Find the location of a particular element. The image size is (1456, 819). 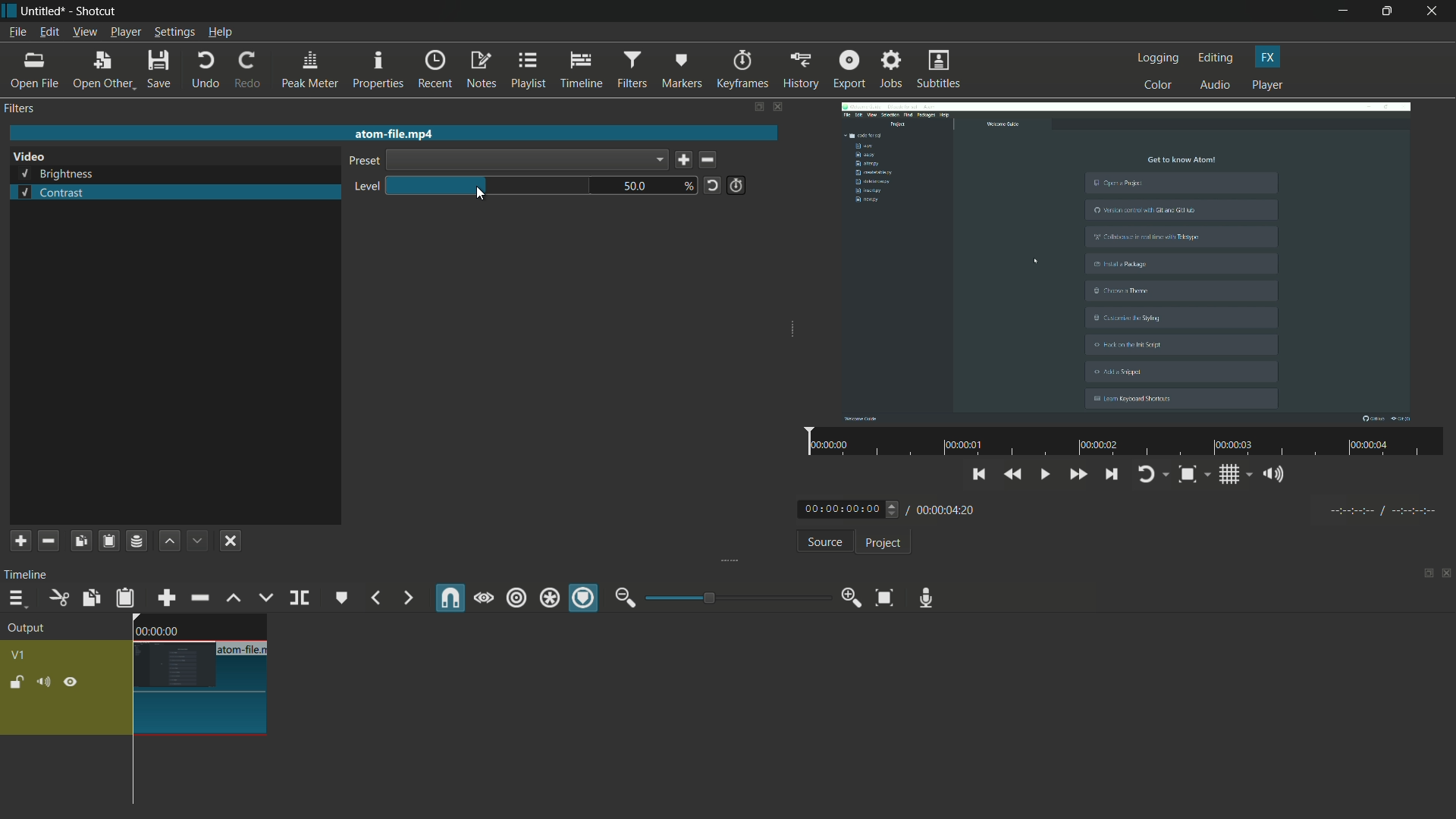

paste filters is located at coordinates (108, 541).